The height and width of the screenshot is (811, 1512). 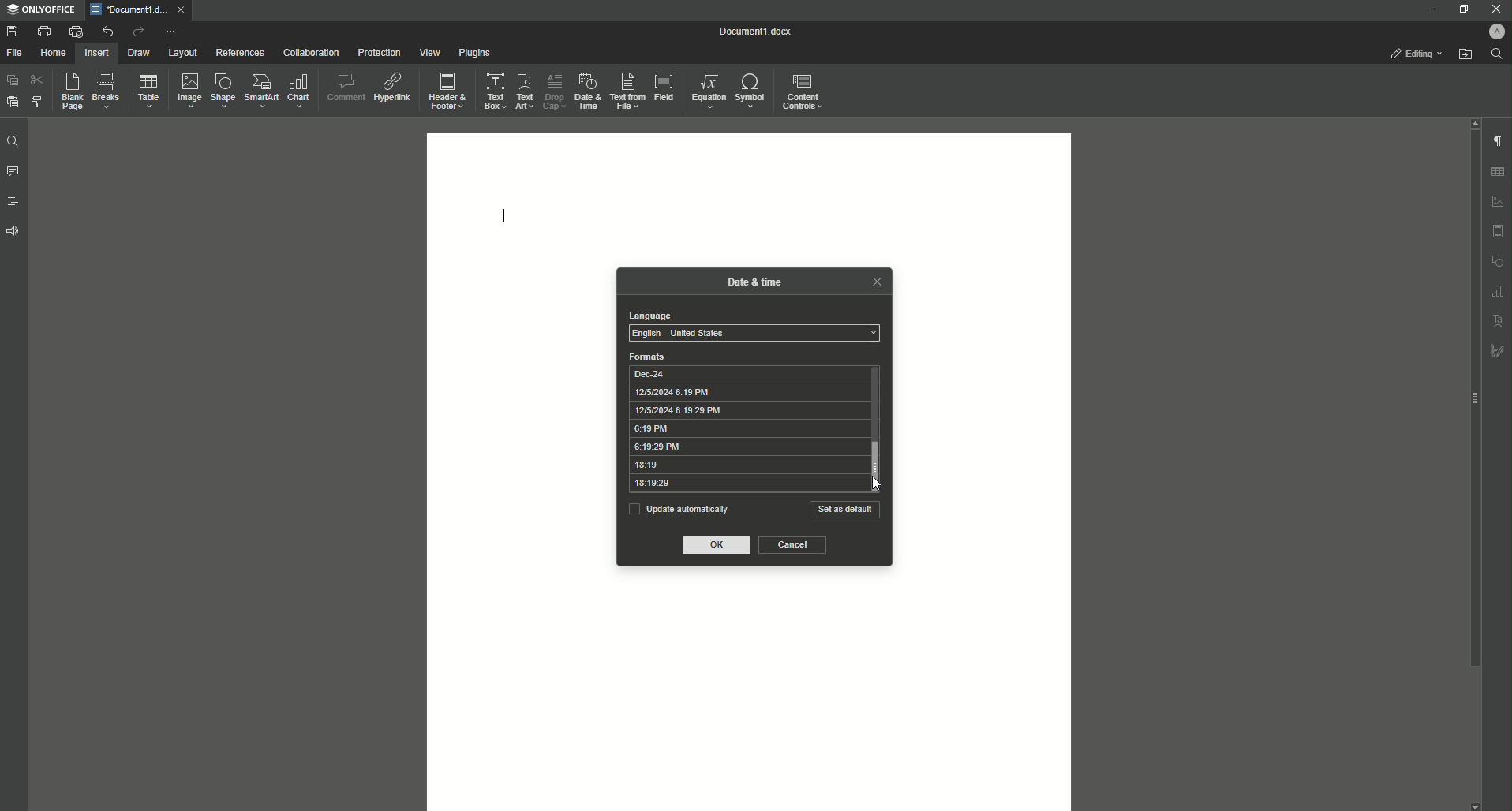 What do you see at coordinates (1497, 172) in the screenshot?
I see `table settings` at bounding box center [1497, 172].